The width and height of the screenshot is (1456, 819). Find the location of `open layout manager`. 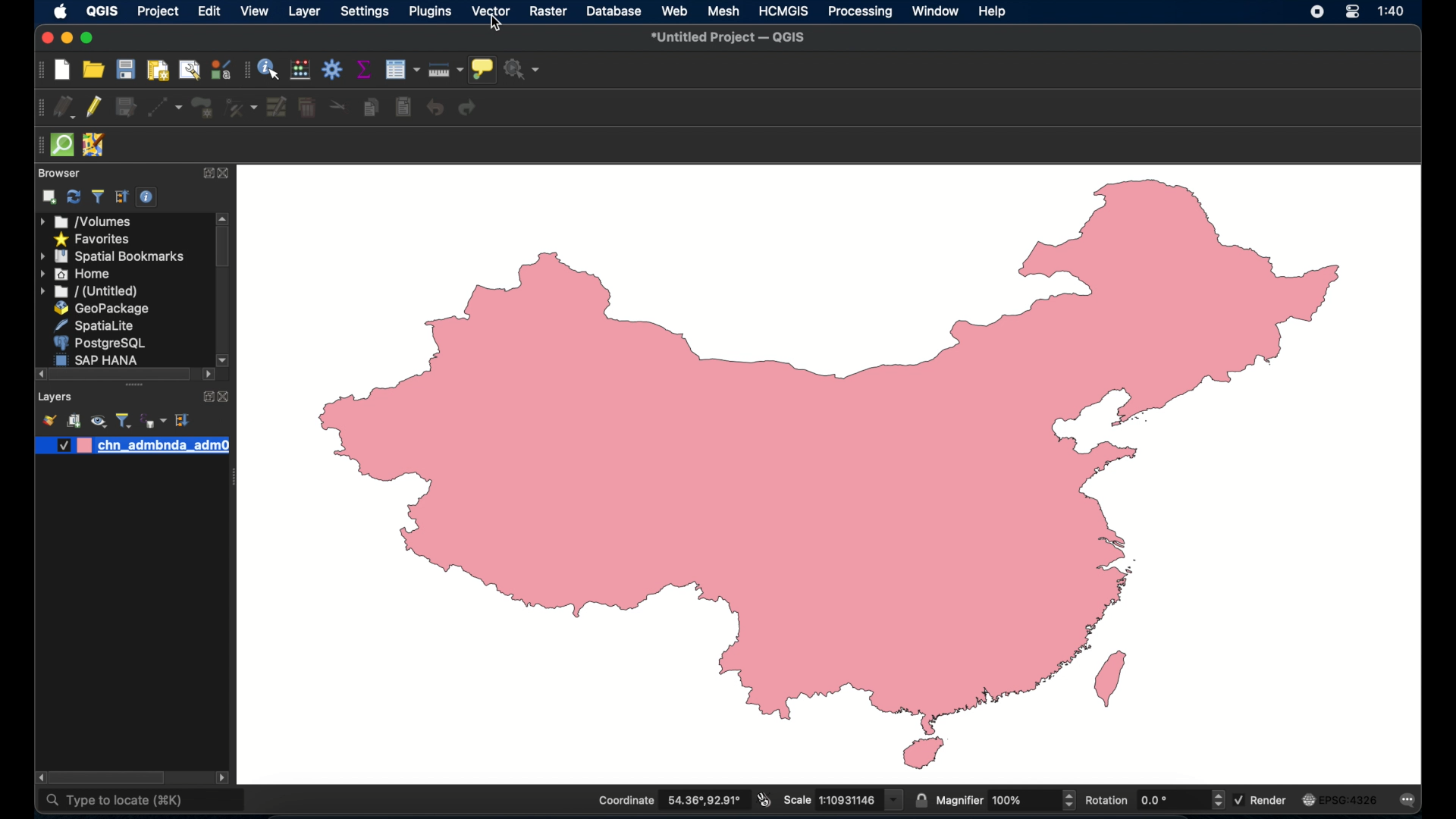

open layout manager is located at coordinates (190, 70).